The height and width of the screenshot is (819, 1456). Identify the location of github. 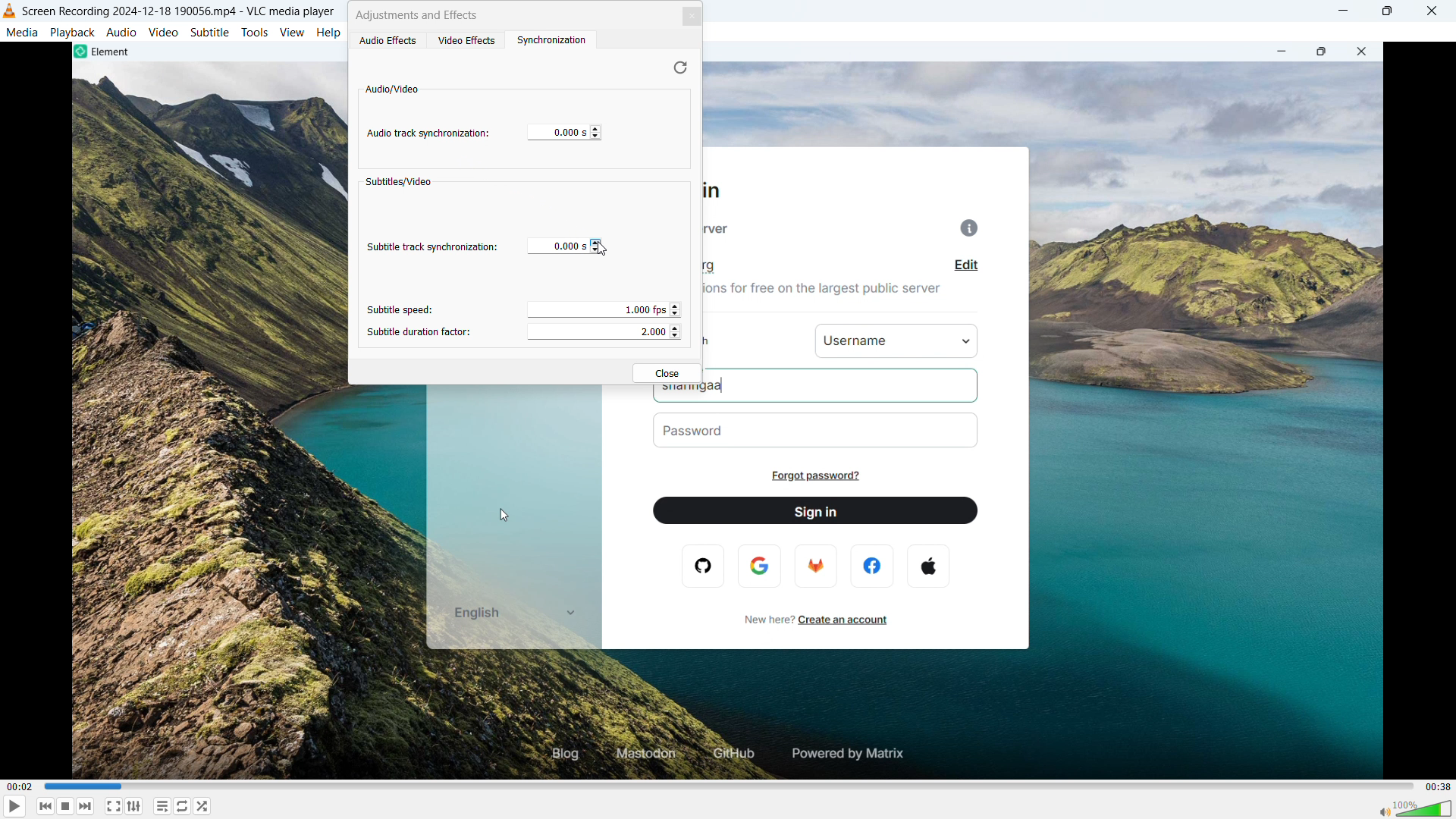
(726, 752).